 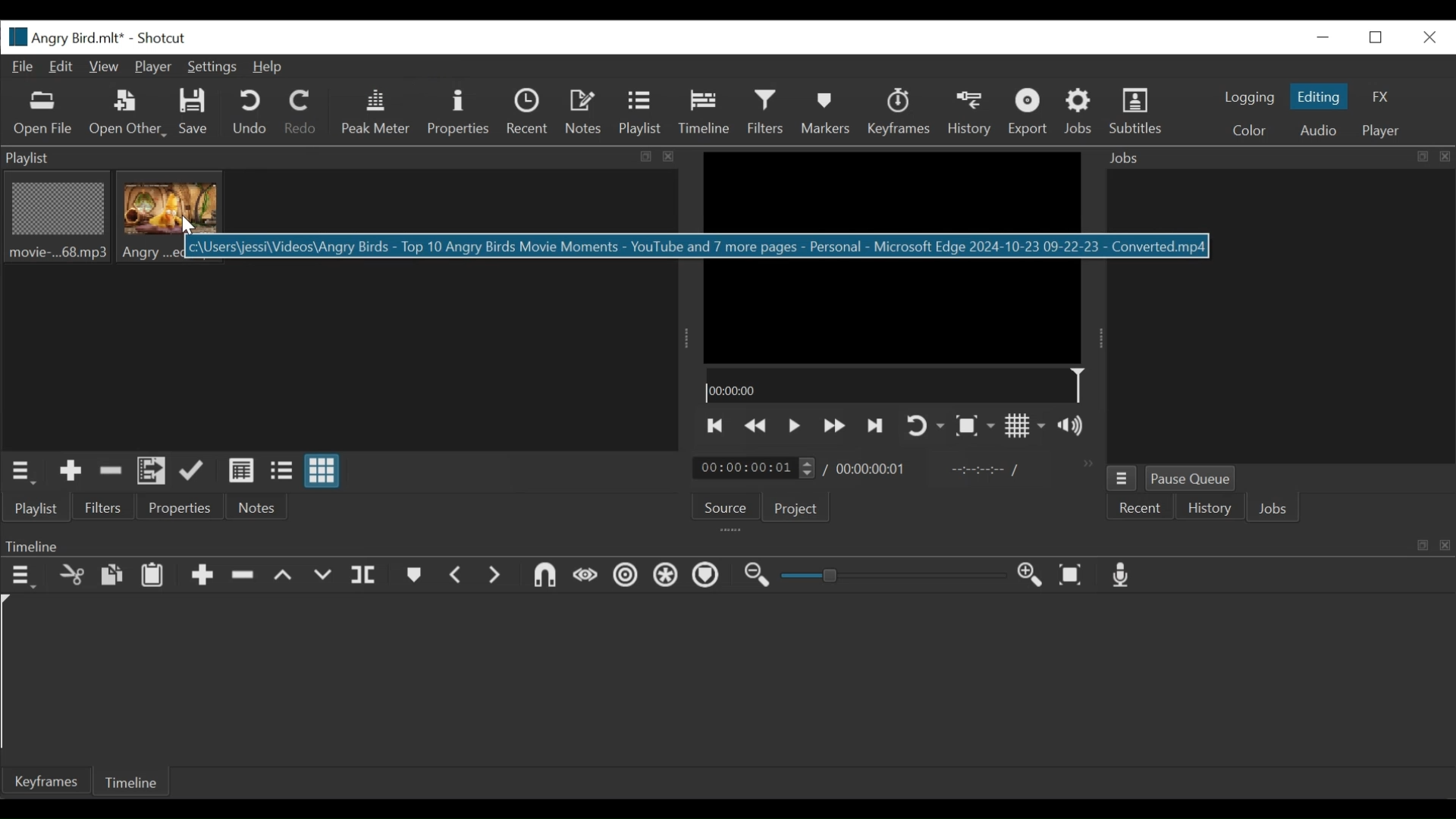 I want to click on Properties, so click(x=178, y=507).